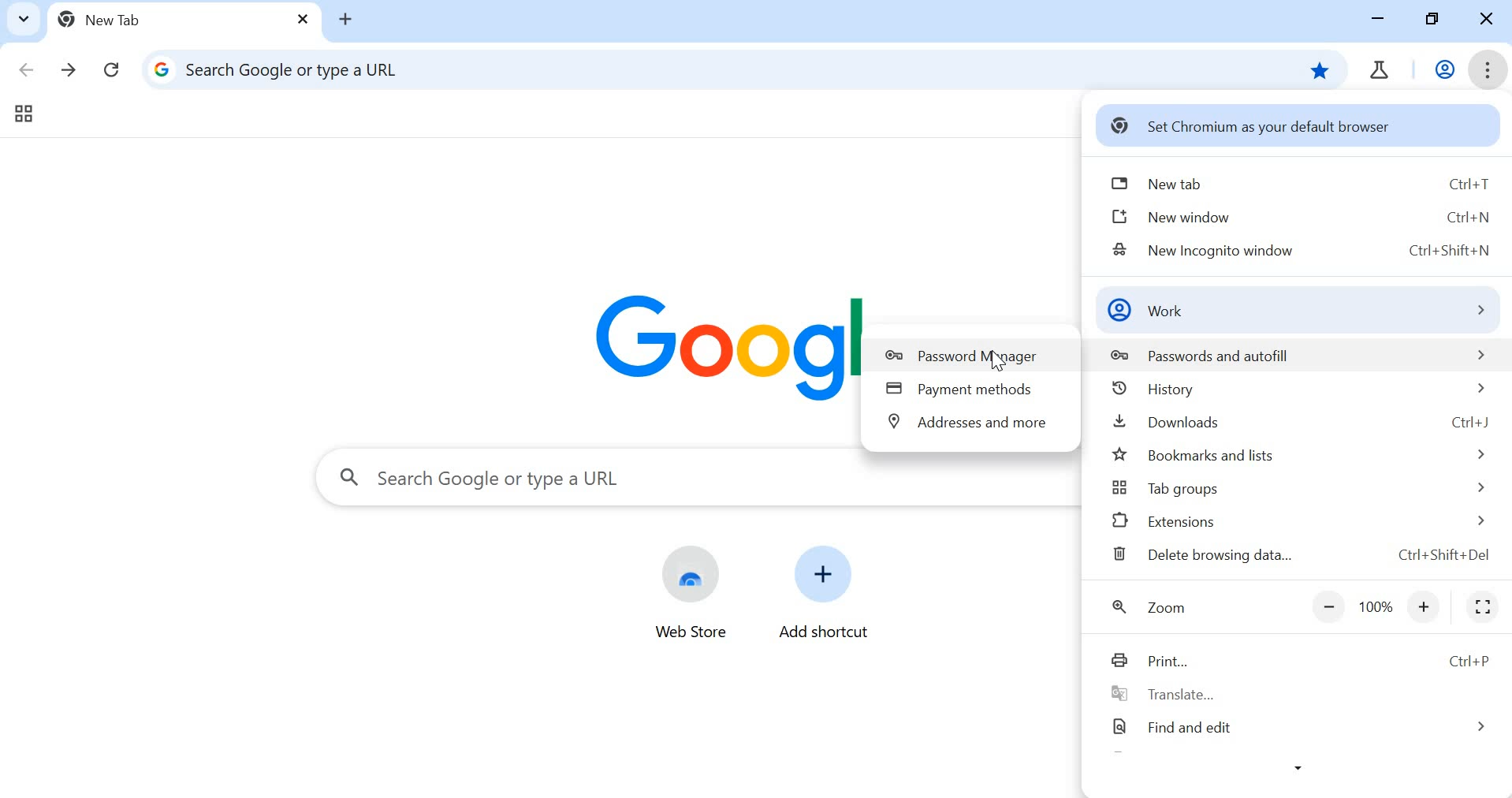 This screenshot has width=1512, height=798. What do you see at coordinates (1380, 19) in the screenshot?
I see `minimize` at bounding box center [1380, 19].